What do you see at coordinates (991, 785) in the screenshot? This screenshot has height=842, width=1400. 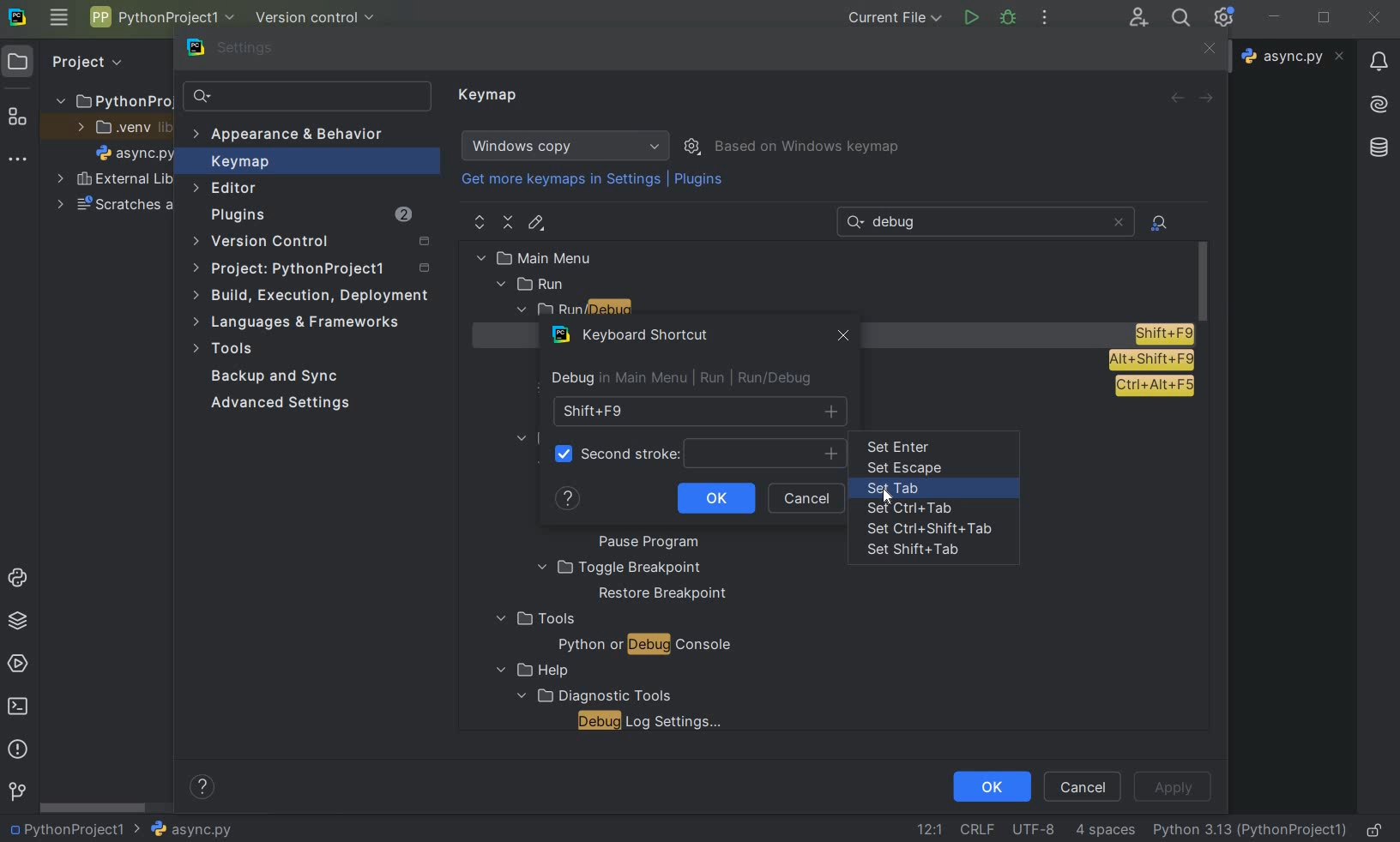 I see `ok` at bounding box center [991, 785].